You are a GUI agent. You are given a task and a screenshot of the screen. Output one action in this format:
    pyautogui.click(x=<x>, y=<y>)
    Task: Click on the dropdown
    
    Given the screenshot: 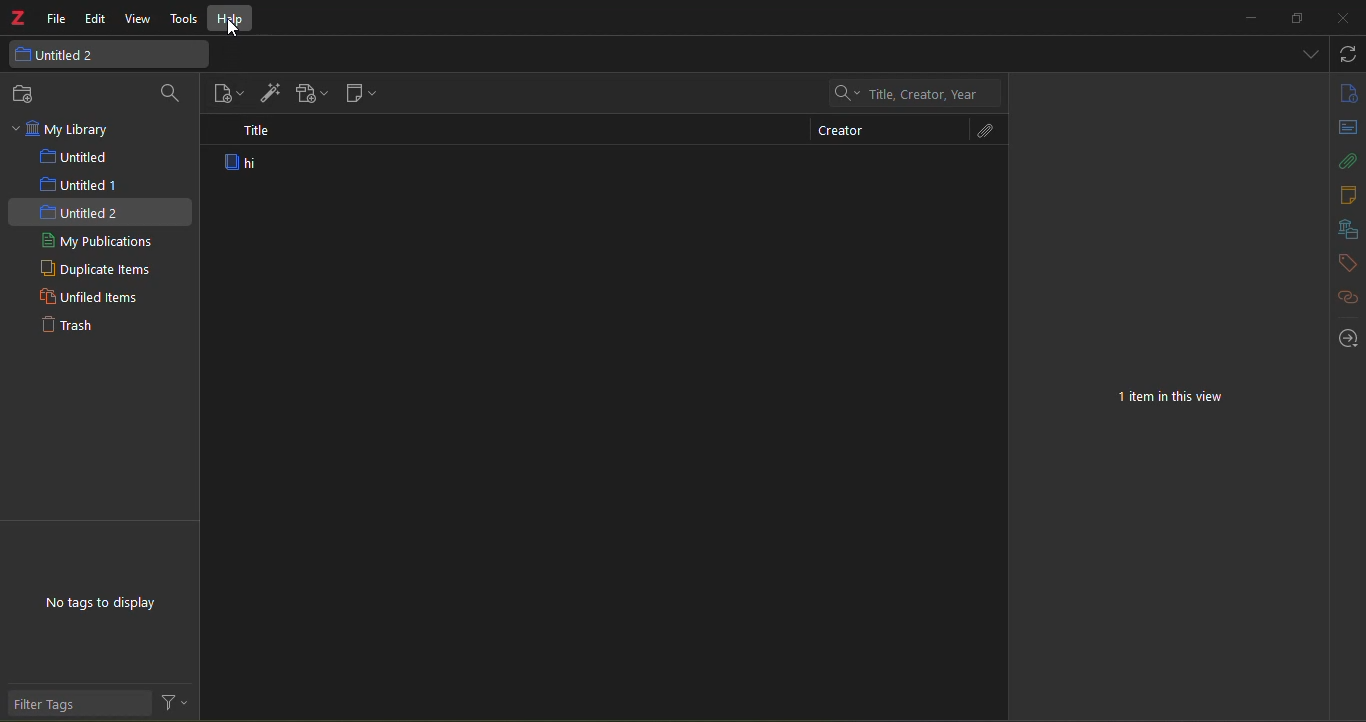 What is the action you would take?
    pyautogui.click(x=1312, y=53)
    